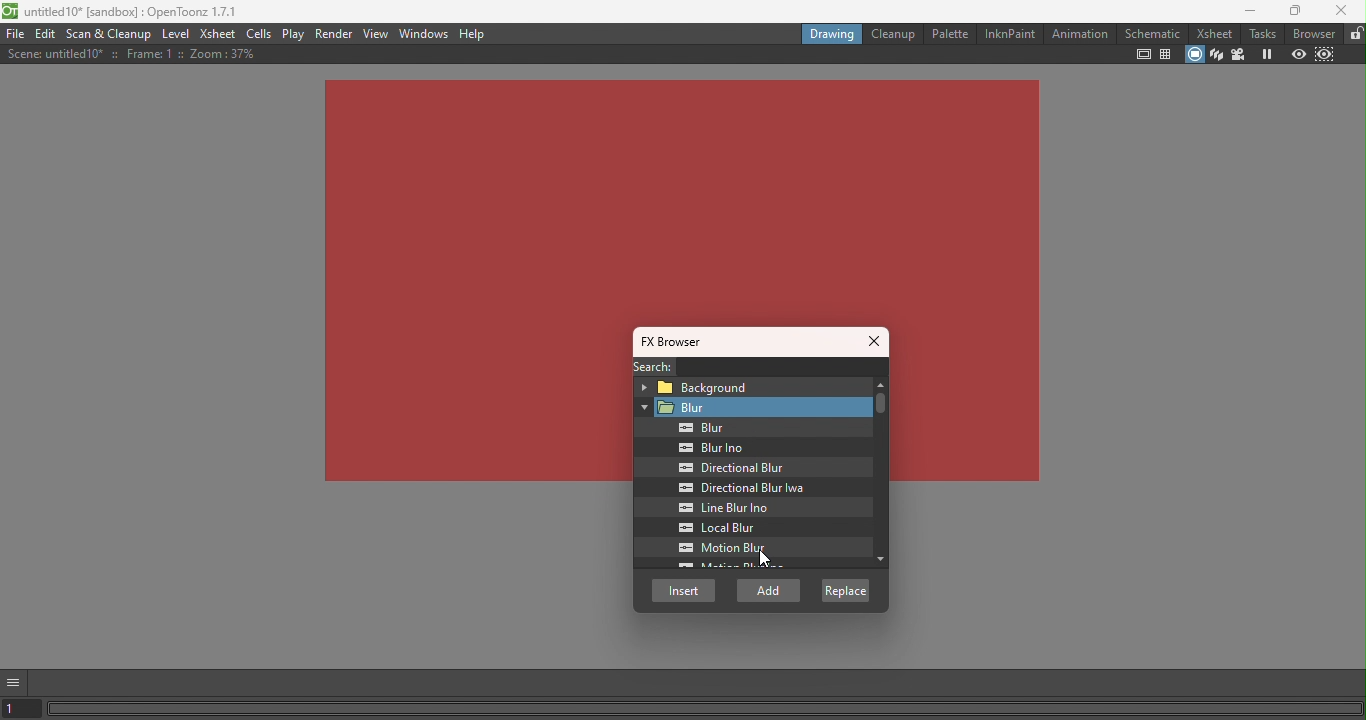 This screenshot has width=1366, height=720. Describe the element at coordinates (47, 35) in the screenshot. I see `Edit` at that location.